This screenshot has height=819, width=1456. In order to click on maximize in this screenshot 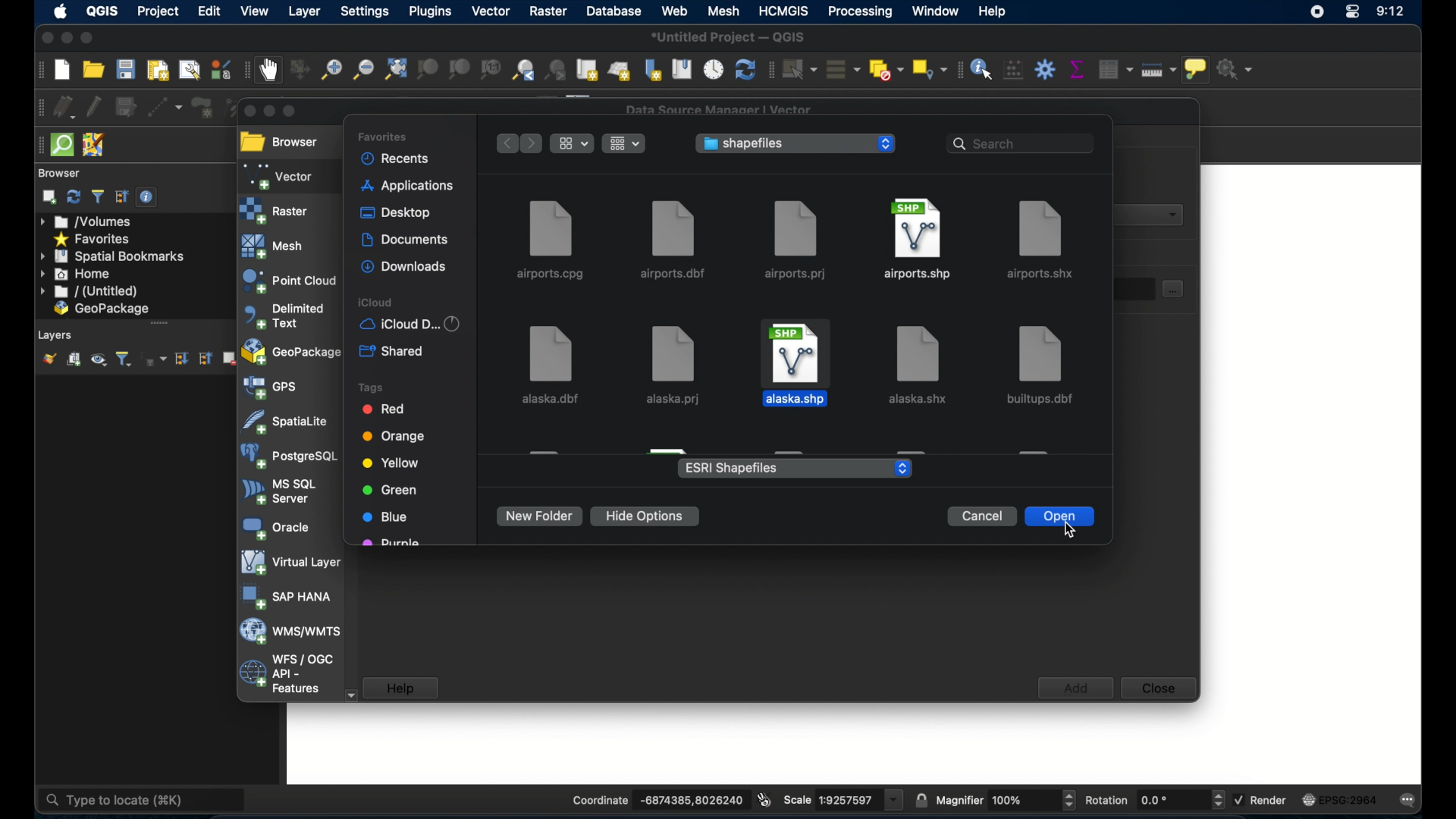, I will do `click(89, 38)`.